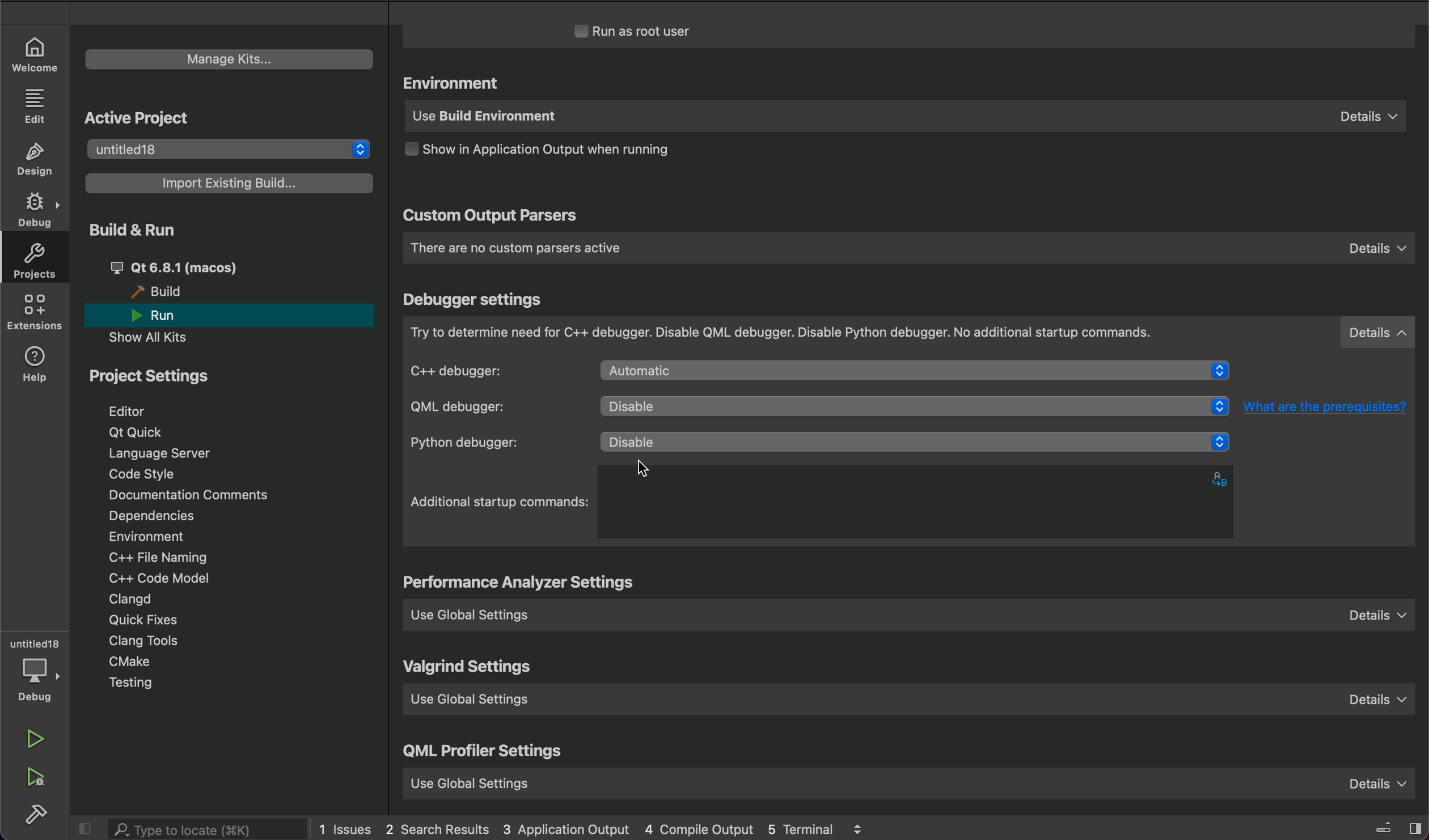 This screenshot has height=840, width=1429. What do you see at coordinates (484, 754) in the screenshot?
I see `qml ` at bounding box center [484, 754].